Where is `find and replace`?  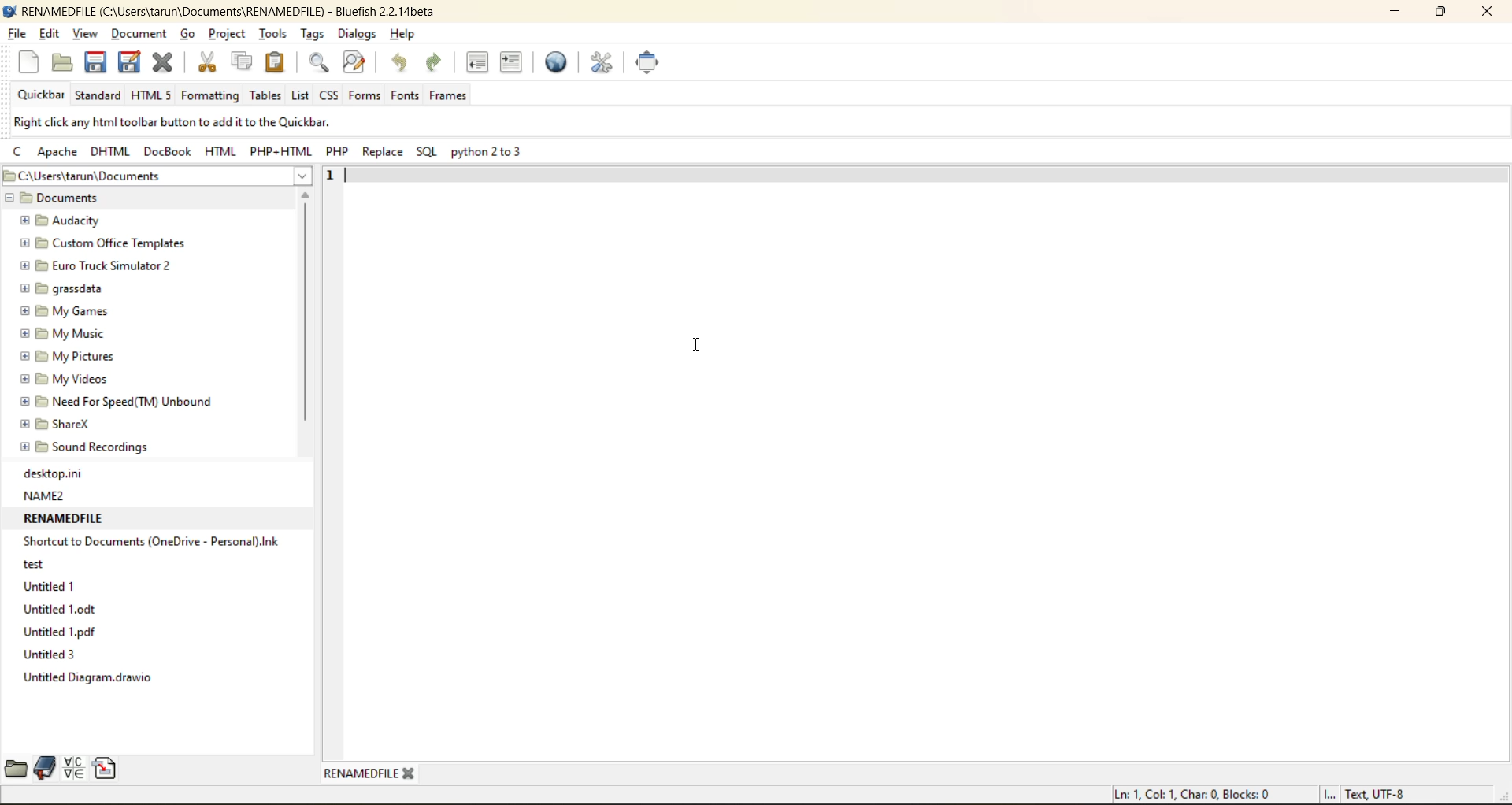
find and replace is located at coordinates (355, 63).